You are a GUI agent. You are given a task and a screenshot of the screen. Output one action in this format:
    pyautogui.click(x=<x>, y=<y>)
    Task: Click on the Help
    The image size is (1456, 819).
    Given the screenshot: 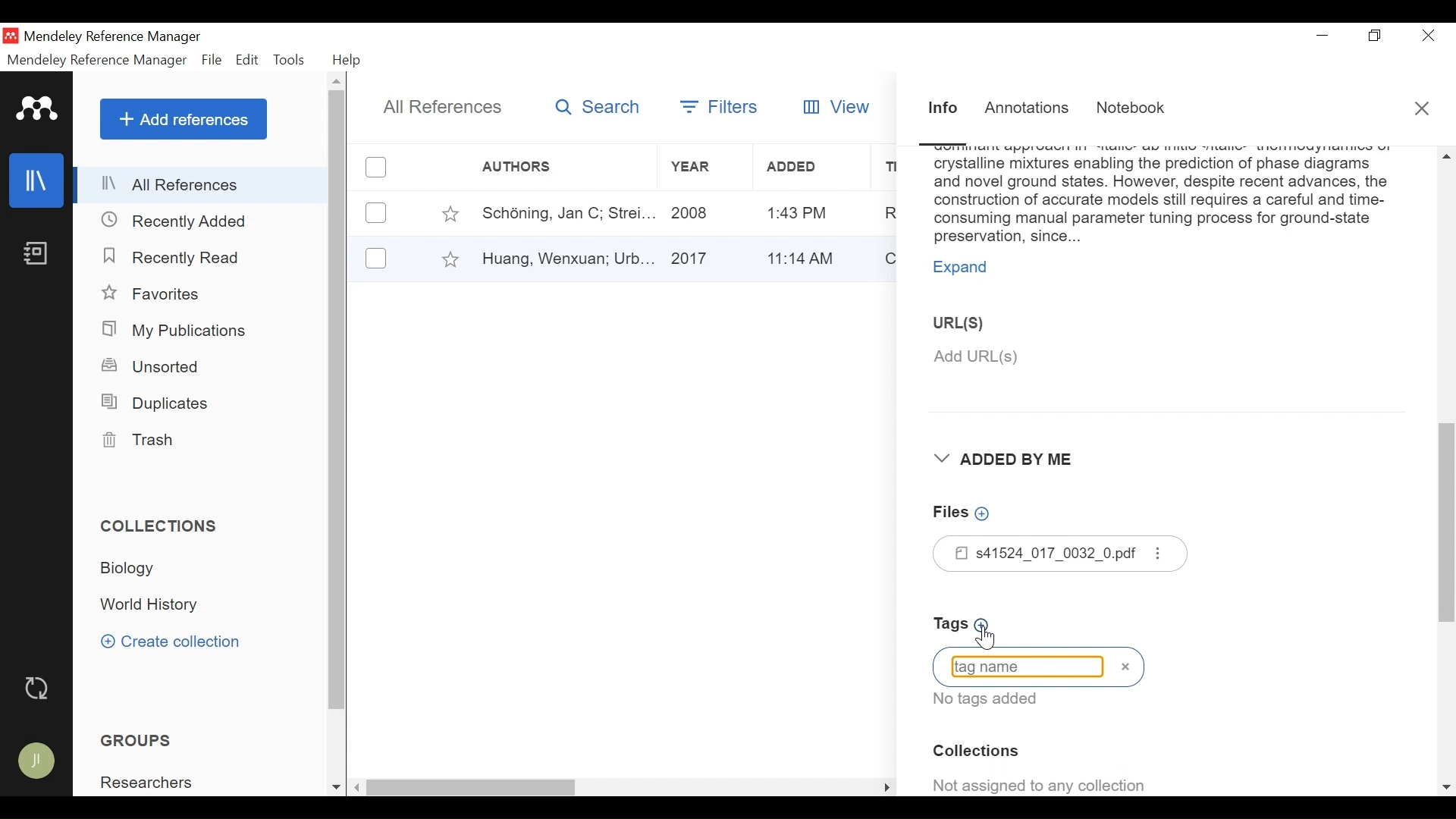 What is the action you would take?
    pyautogui.click(x=348, y=61)
    